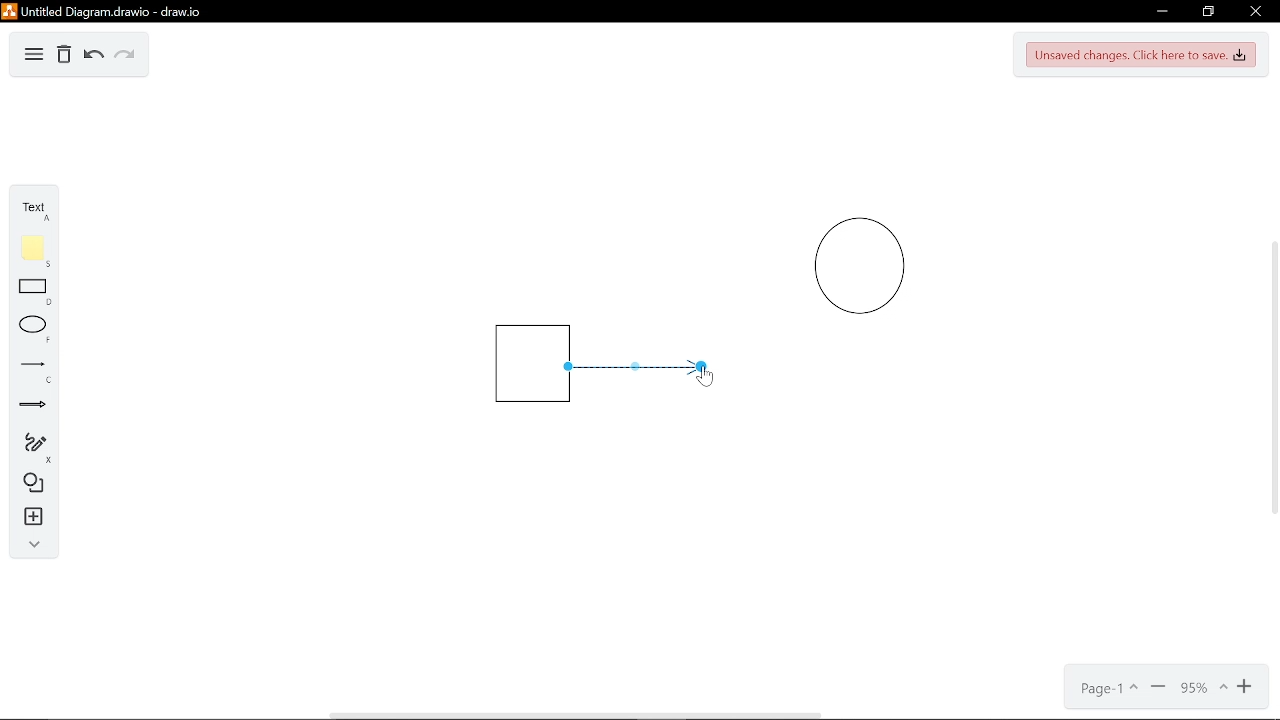 The height and width of the screenshot is (720, 1280). Describe the element at coordinates (1246, 685) in the screenshot. I see `Zoom in` at that location.